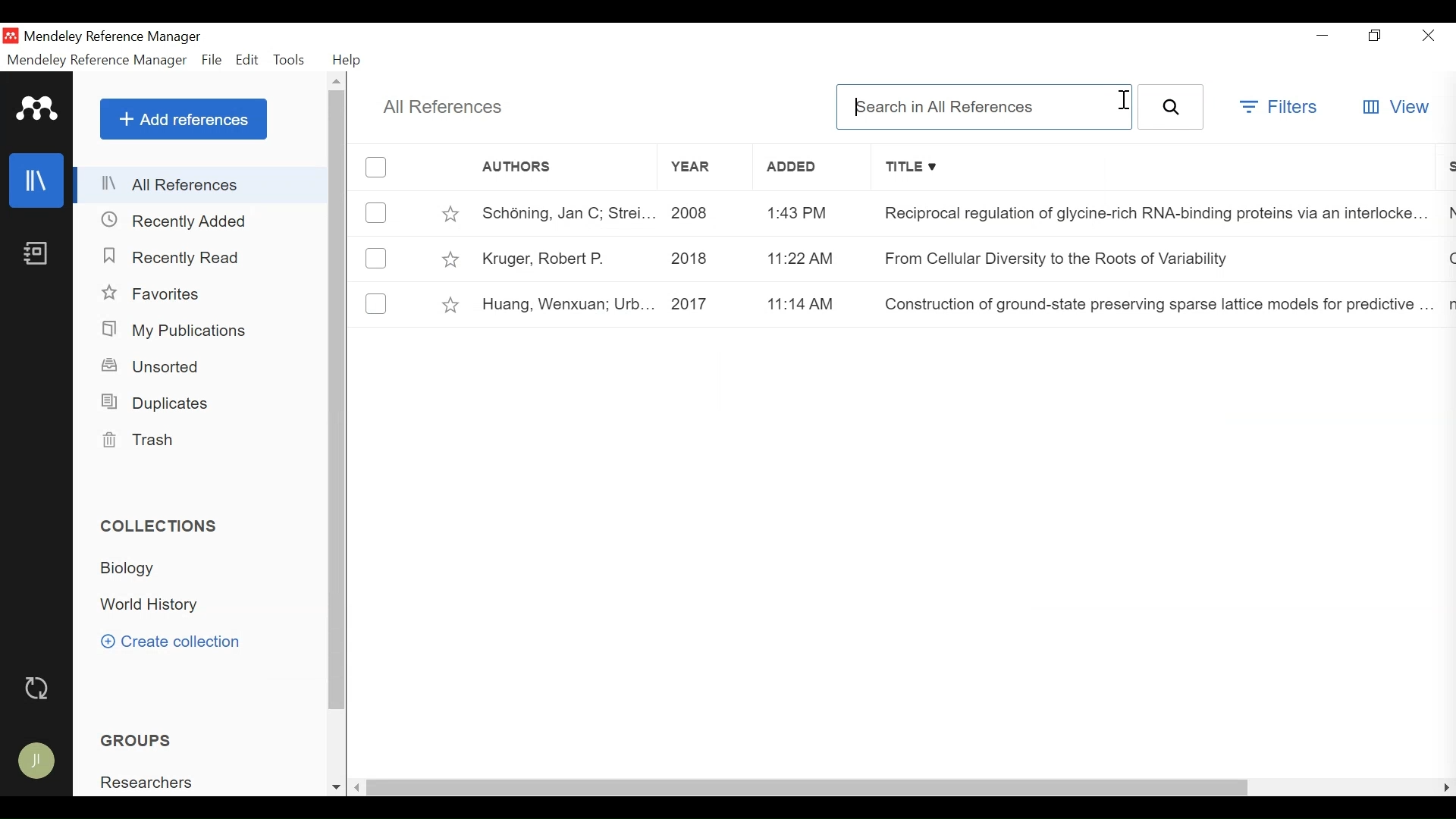 Image resolution: width=1456 pixels, height=819 pixels. I want to click on Unsorted, so click(152, 367).